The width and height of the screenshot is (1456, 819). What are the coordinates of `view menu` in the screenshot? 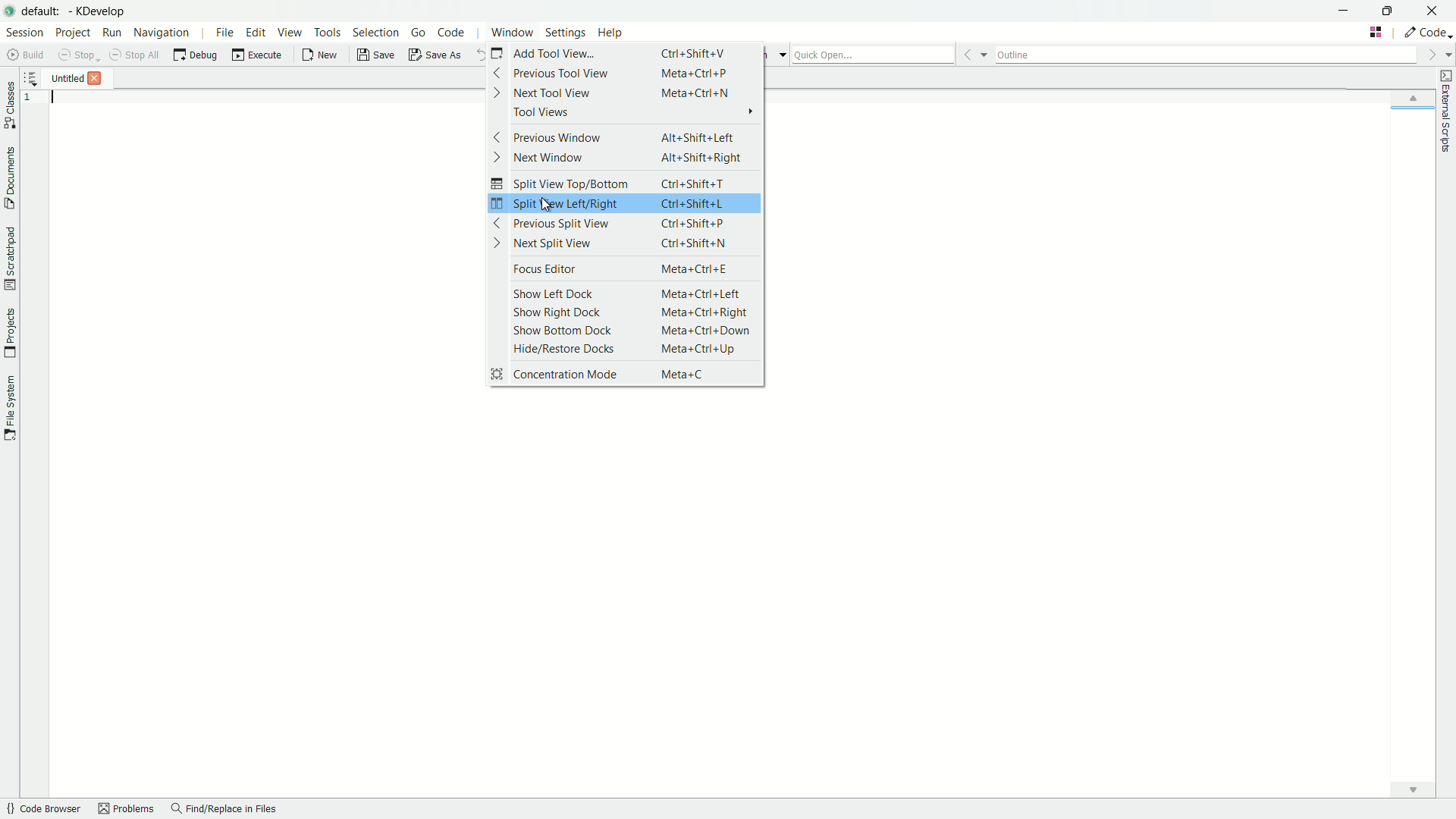 It's located at (290, 31).